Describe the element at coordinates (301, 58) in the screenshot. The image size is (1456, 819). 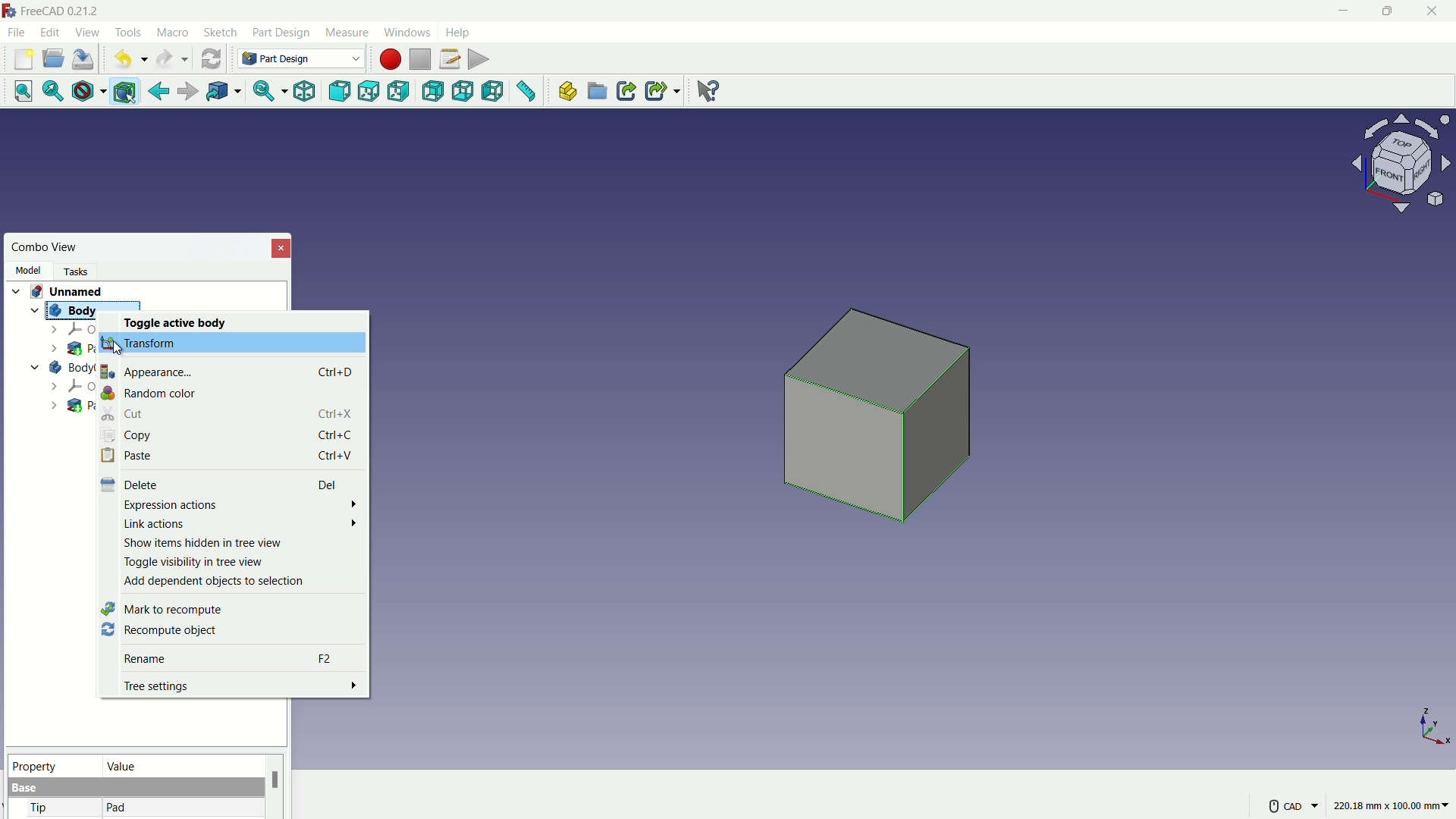
I see `Part Design` at that location.